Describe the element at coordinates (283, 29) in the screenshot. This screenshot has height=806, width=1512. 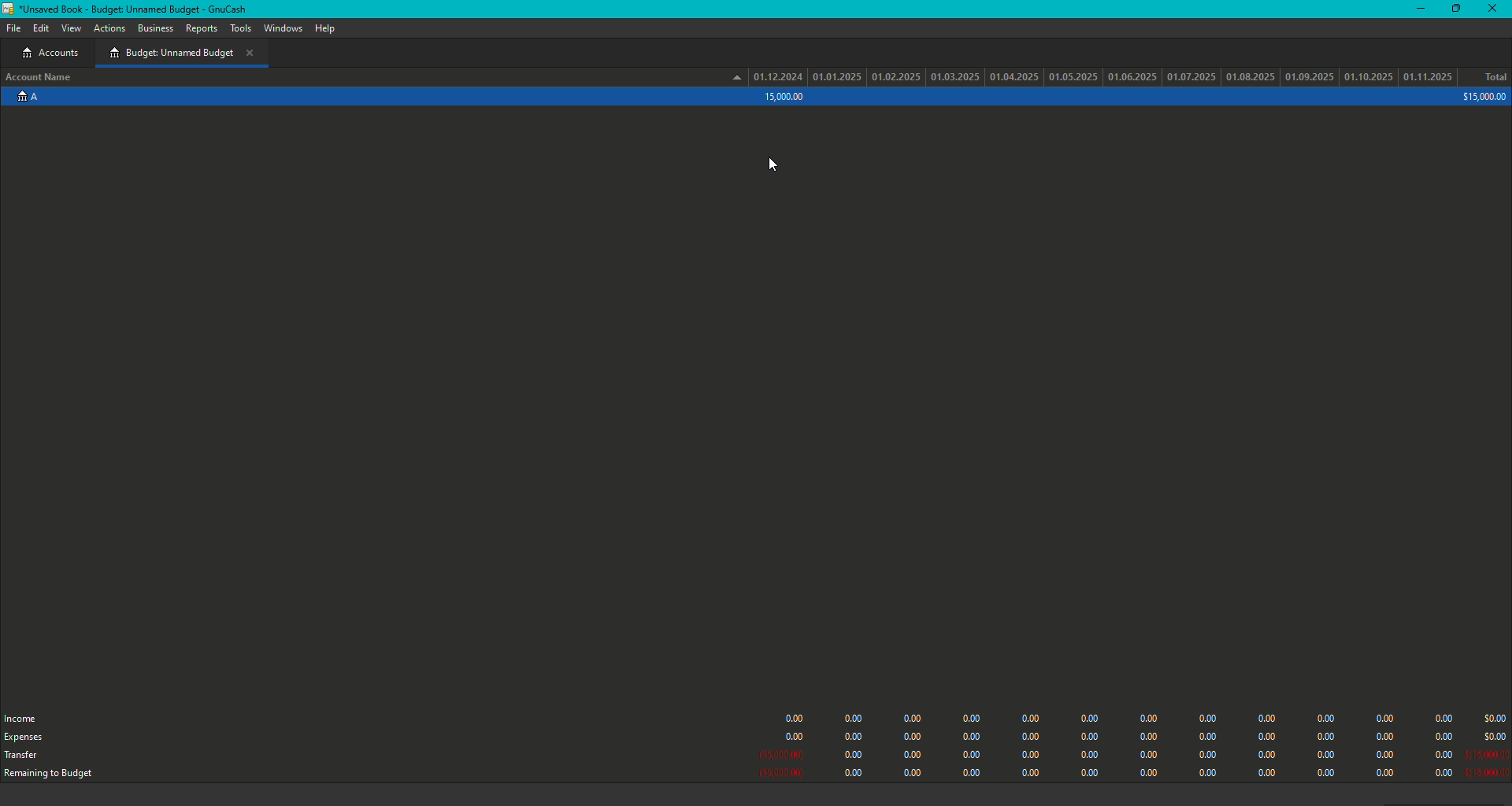
I see `Windows` at that location.